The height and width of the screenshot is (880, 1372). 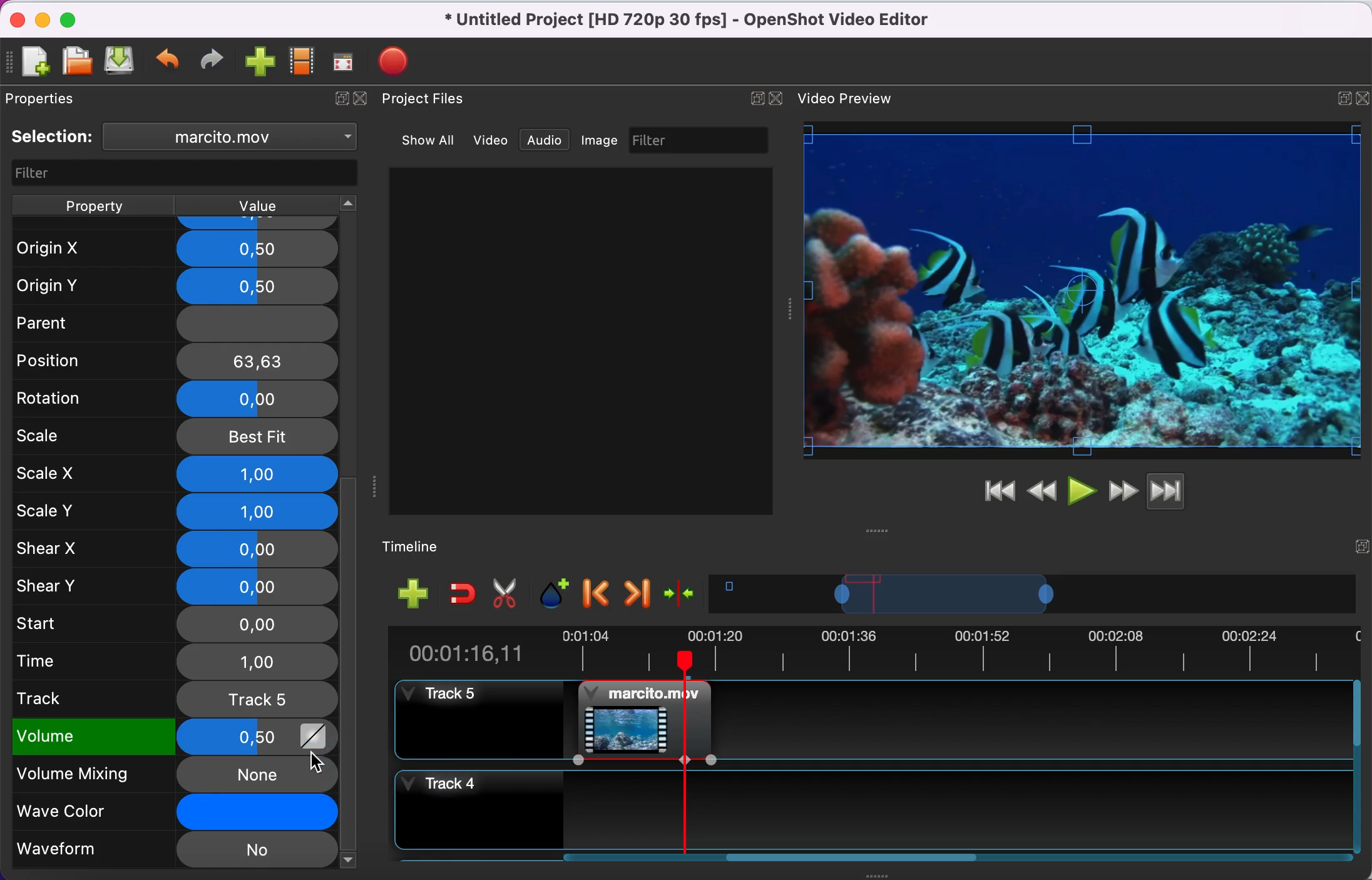 I want to click on jump to end, so click(x=1185, y=493).